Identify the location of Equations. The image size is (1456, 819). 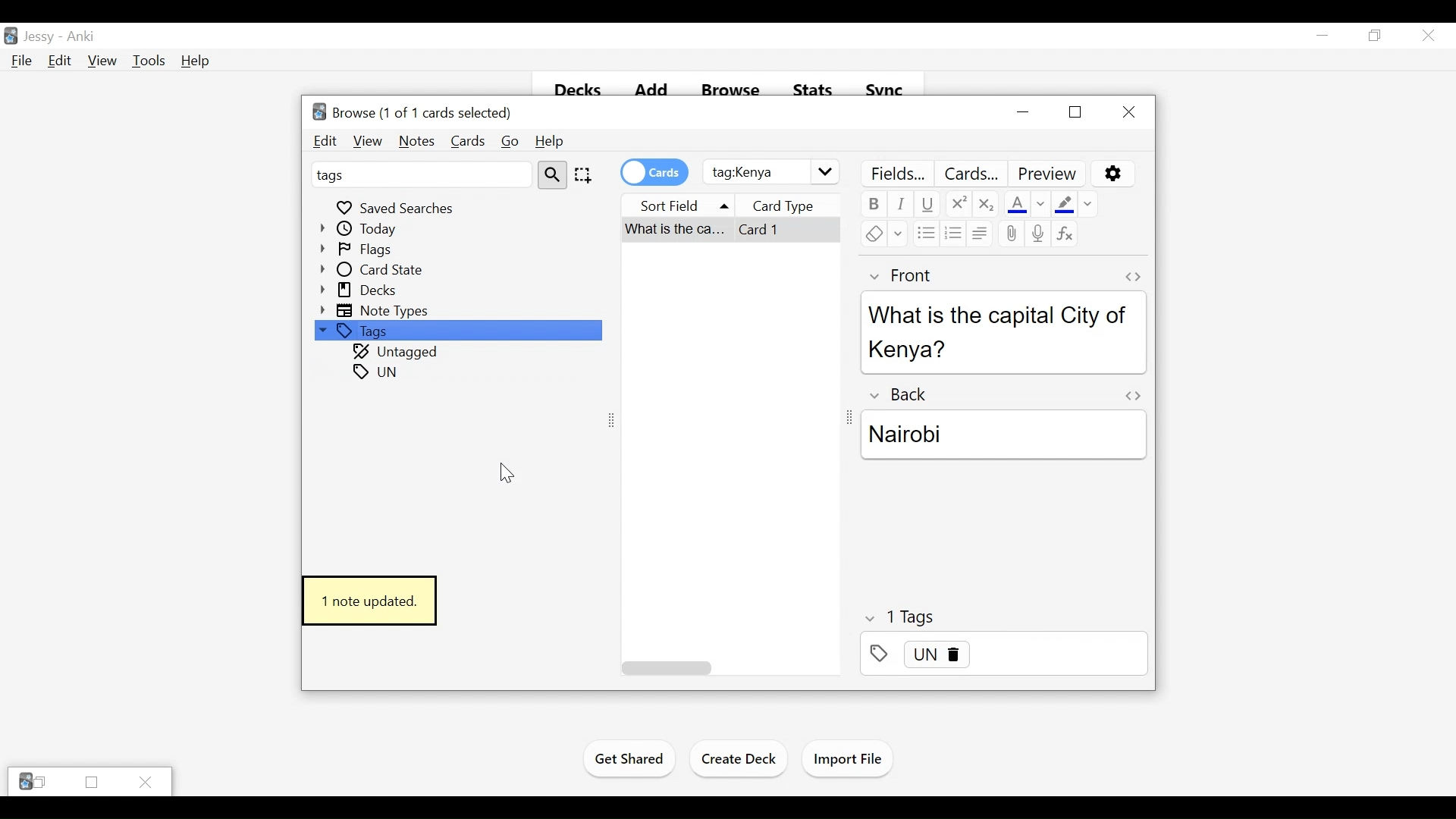
(1065, 234).